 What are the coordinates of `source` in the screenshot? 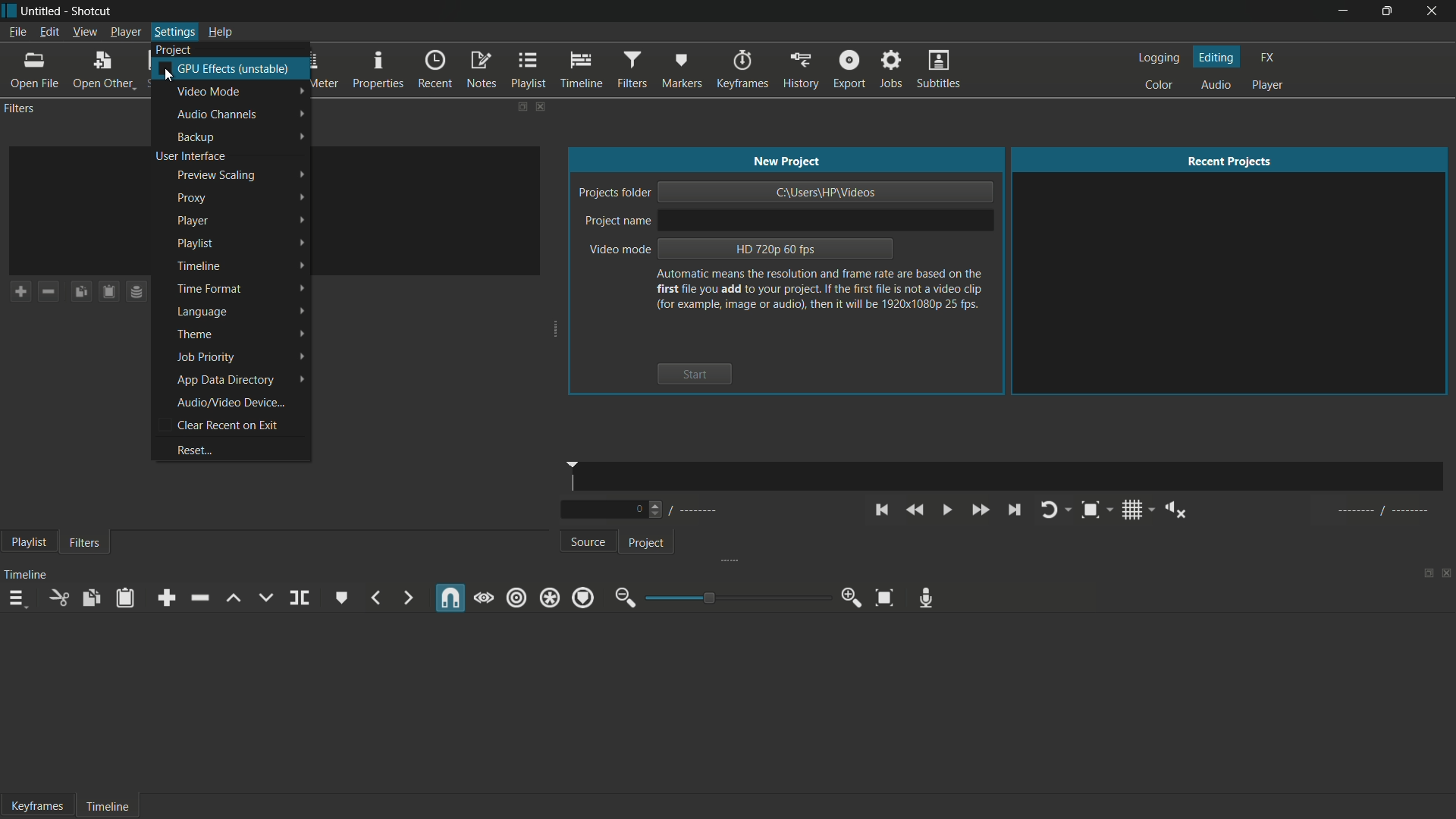 It's located at (591, 543).